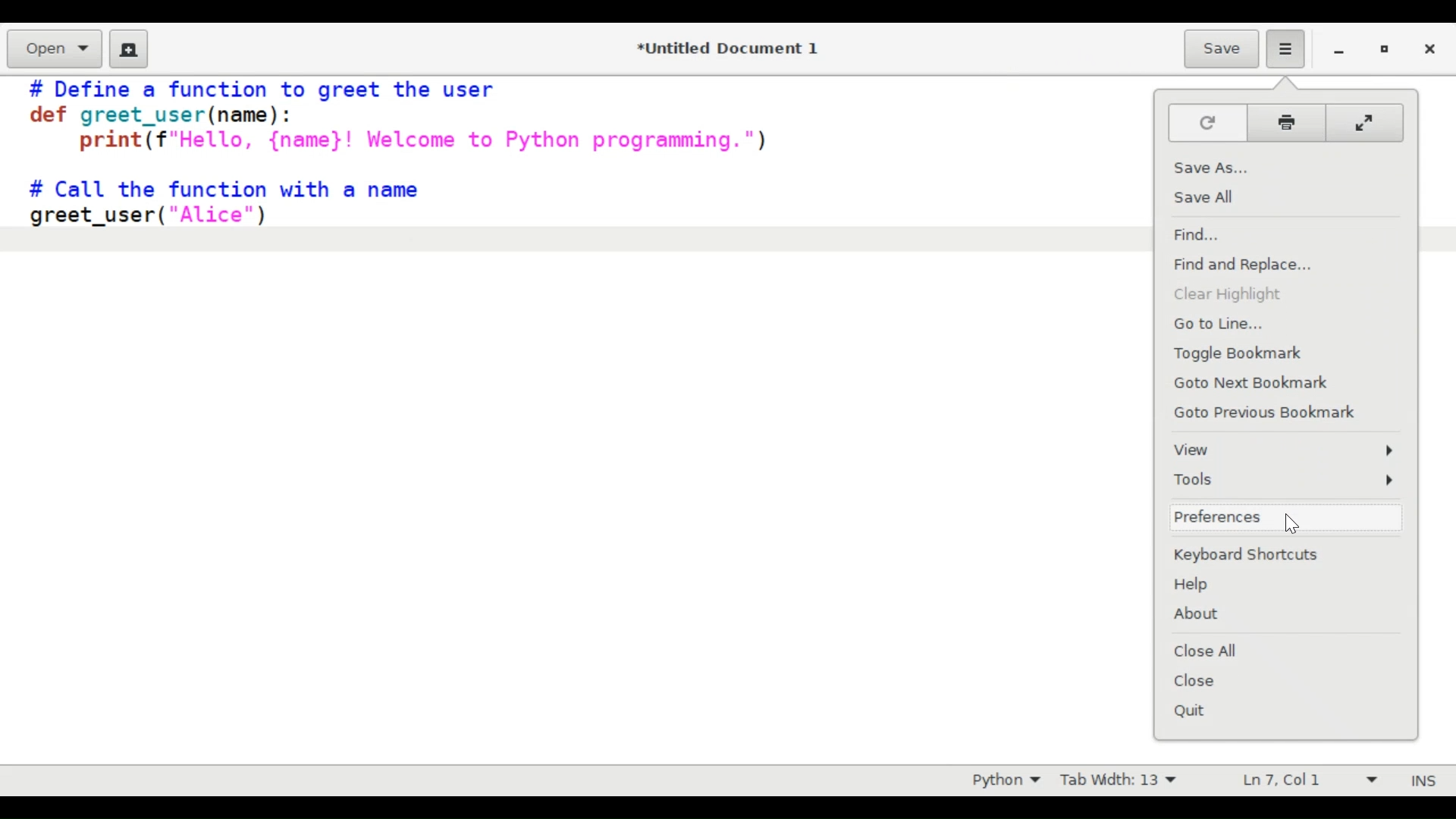 The height and width of the screenshot is (819, 1456). I want to click on Restore, so click(1383, 49).